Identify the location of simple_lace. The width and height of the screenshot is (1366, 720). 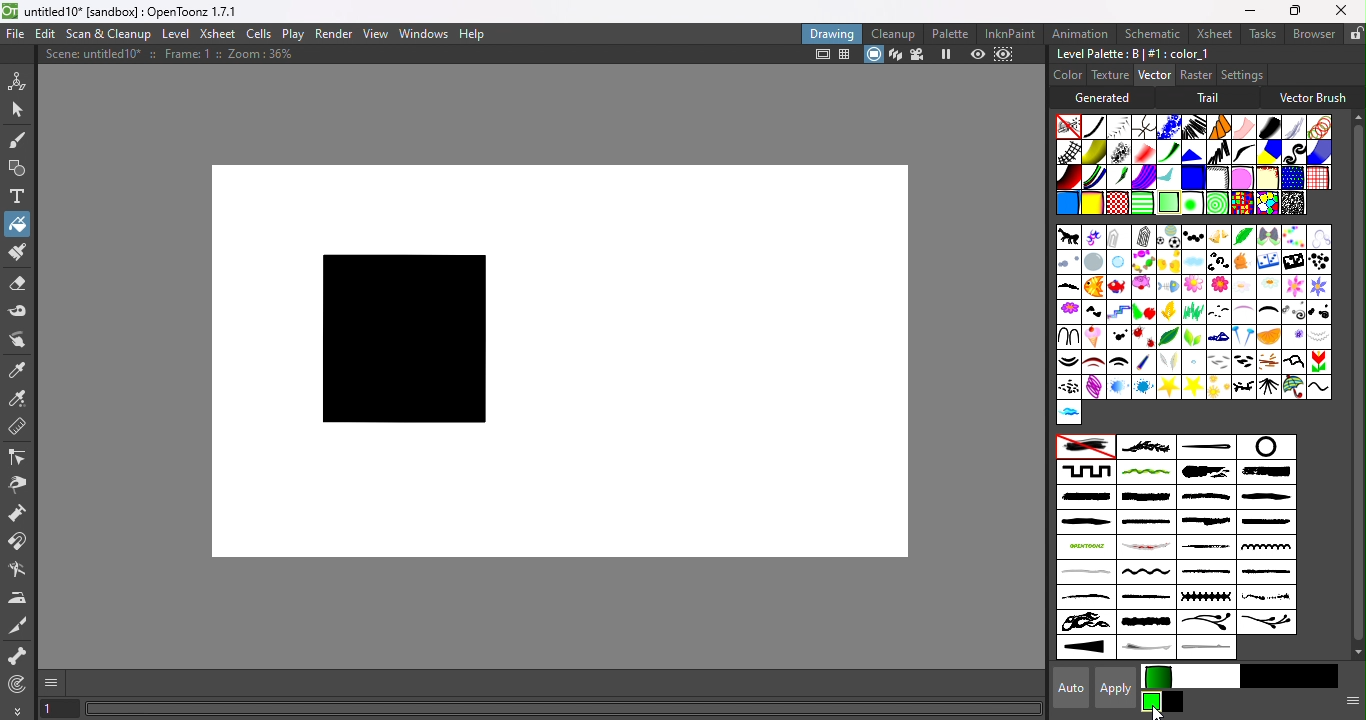
(1264, 547).